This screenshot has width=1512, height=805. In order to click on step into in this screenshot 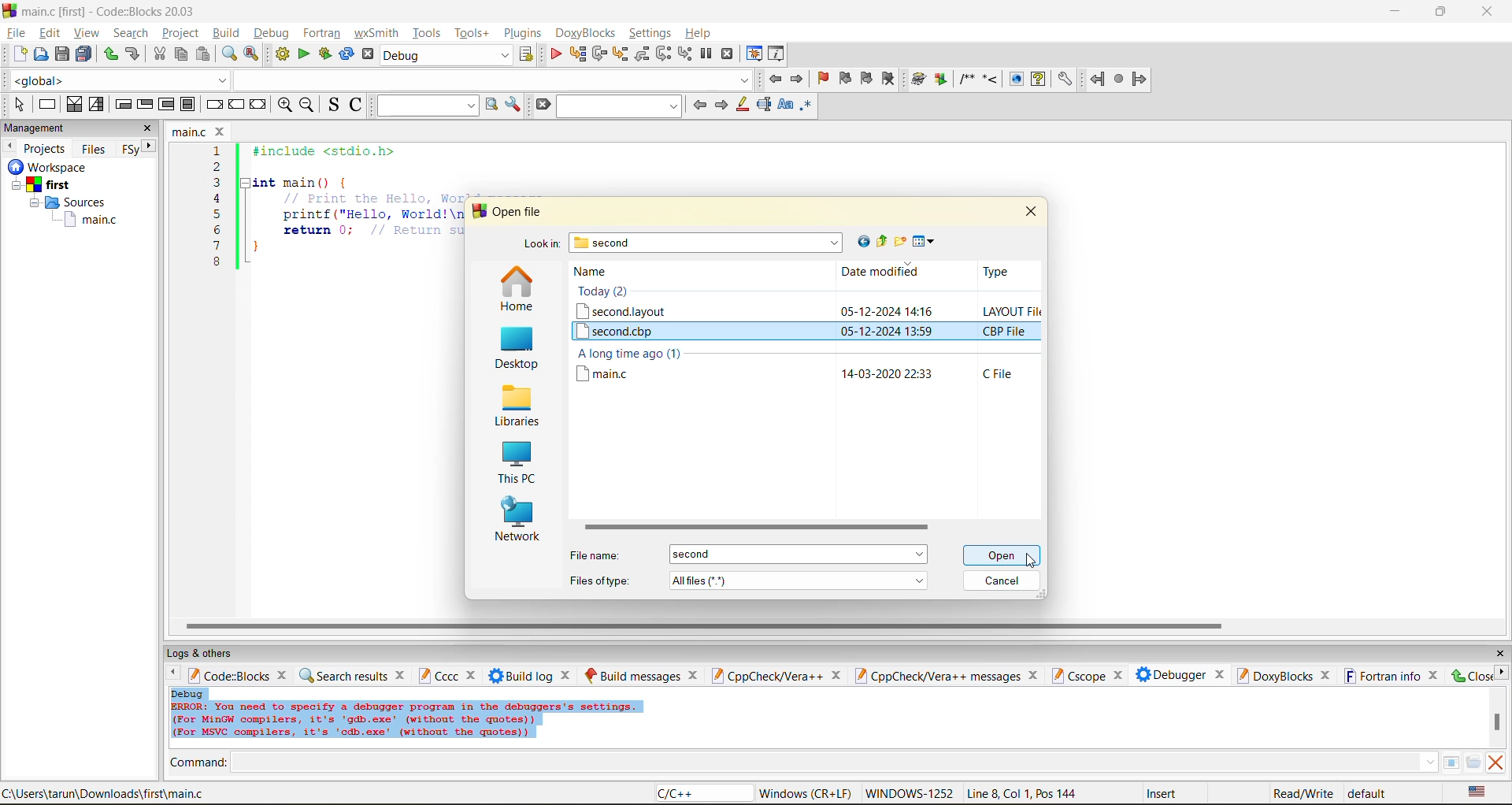, I will do `click(990, 78)`.